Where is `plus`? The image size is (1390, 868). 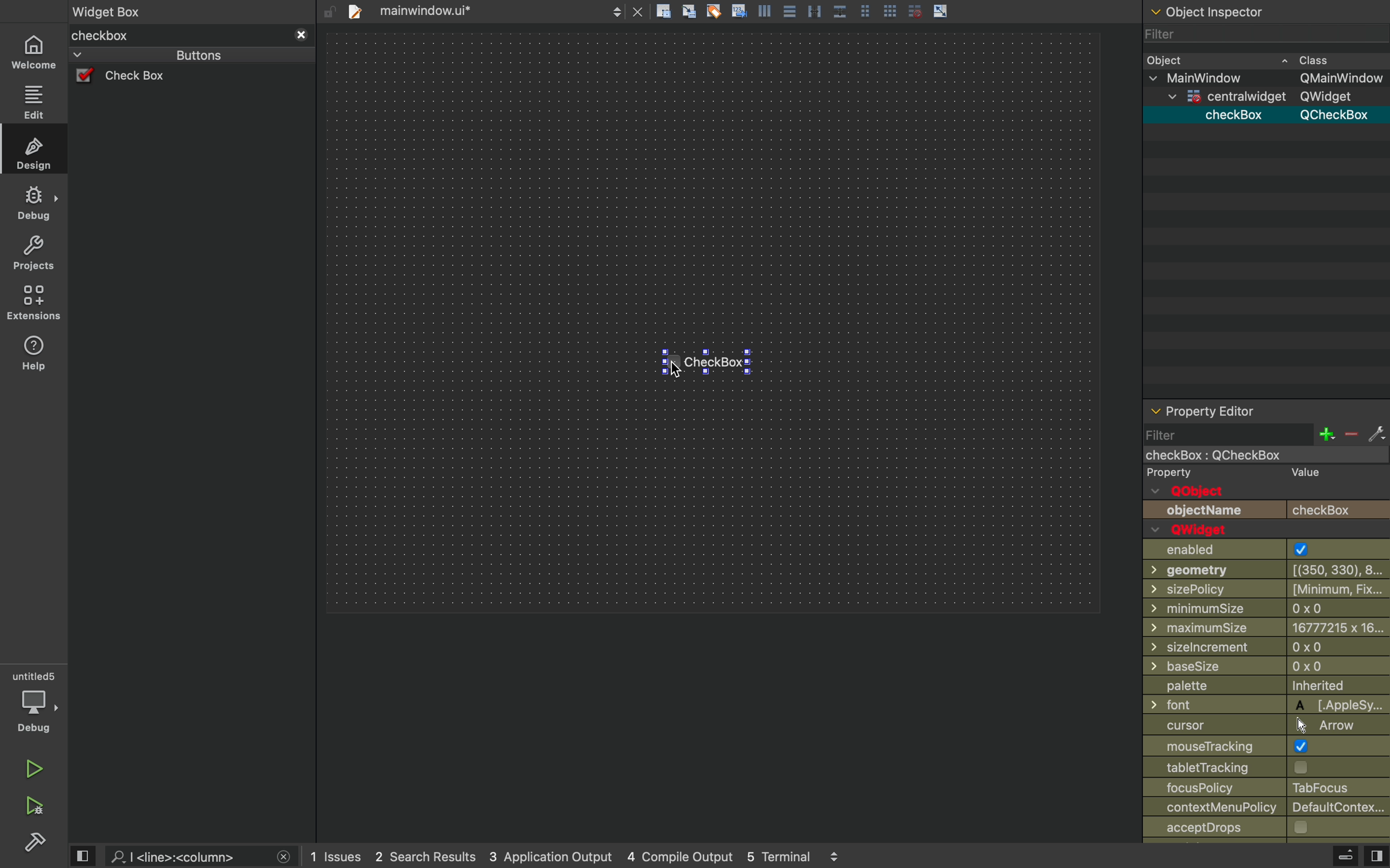 plus is located at coordinates (1326, 434).